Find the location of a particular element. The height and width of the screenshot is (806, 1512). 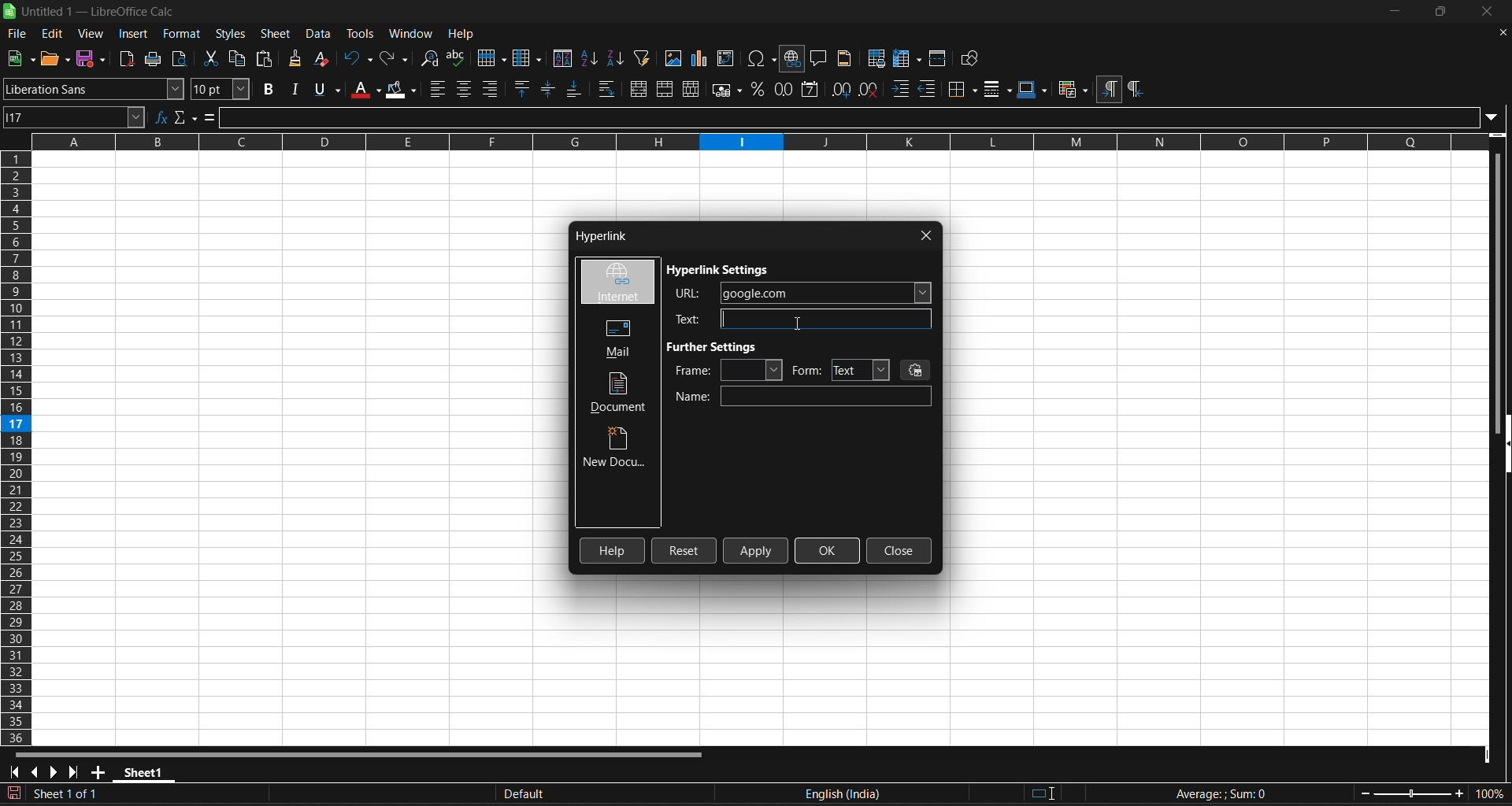

center vertically is located at coordinates (550, 88).